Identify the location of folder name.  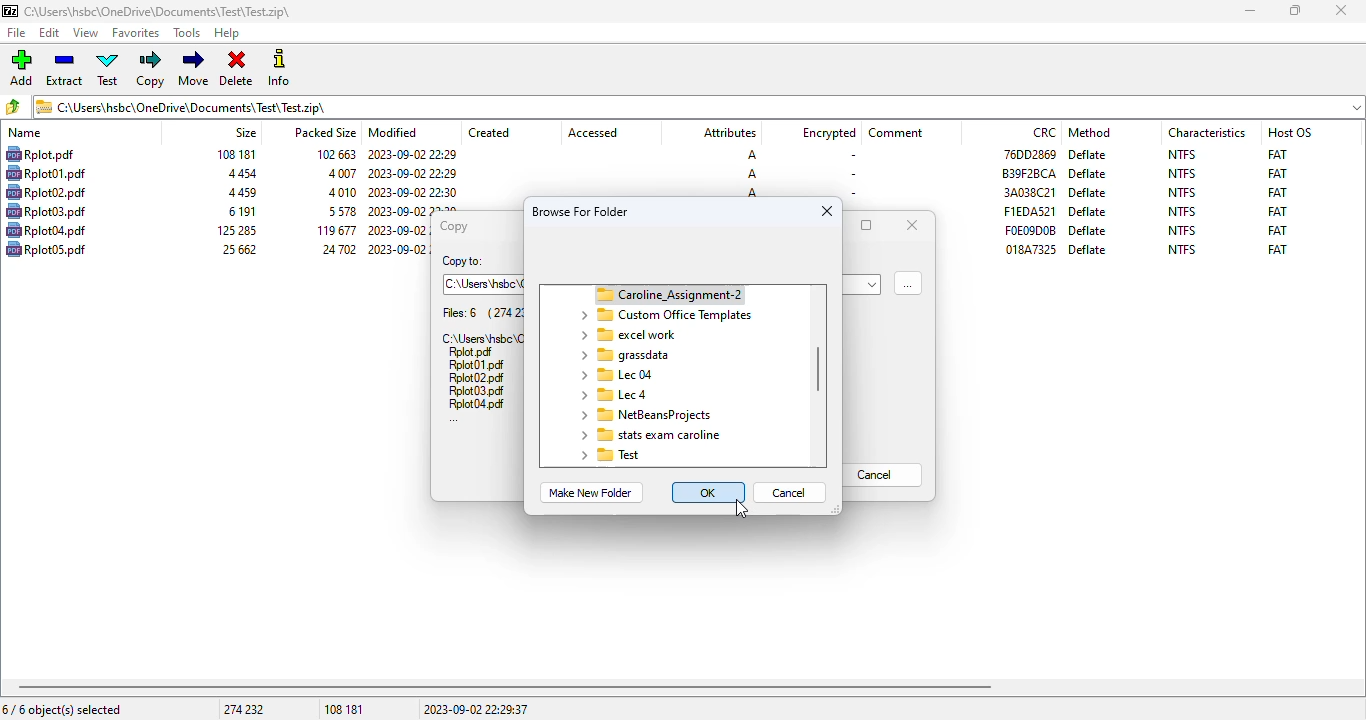
(647, 434).